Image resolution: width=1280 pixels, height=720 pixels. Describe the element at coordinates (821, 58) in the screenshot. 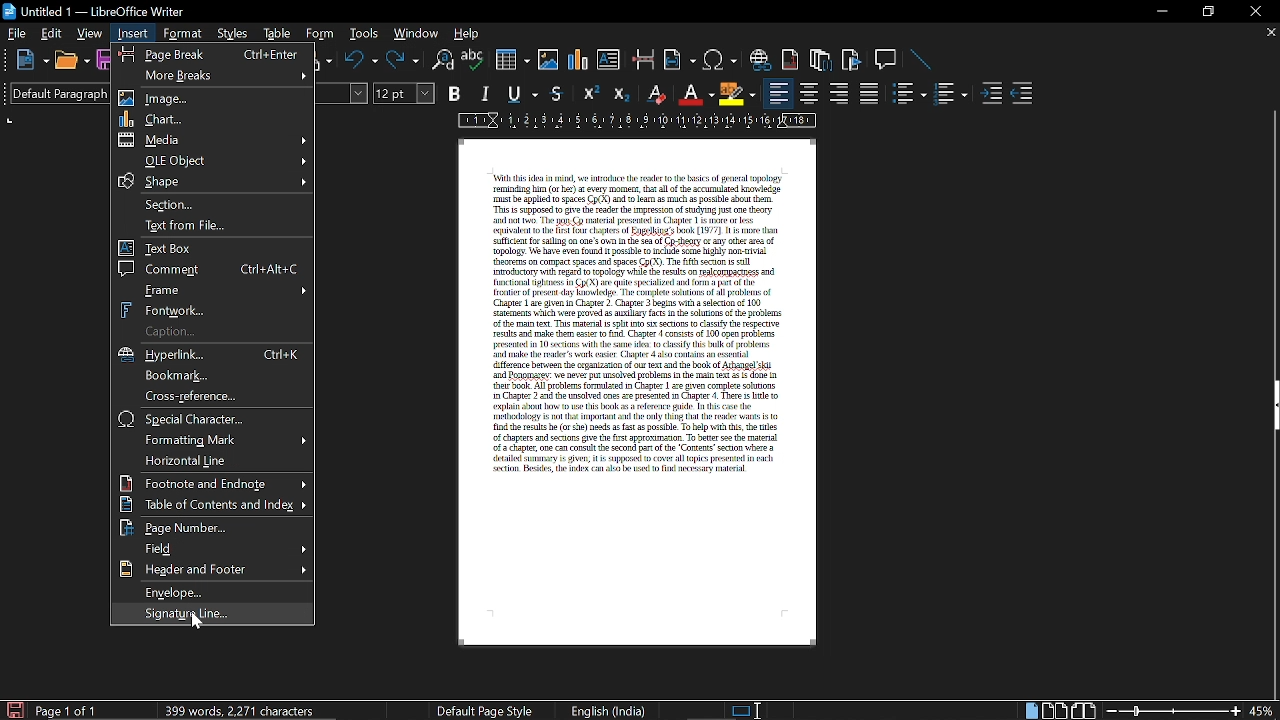

I see `insert footnote` at that location.